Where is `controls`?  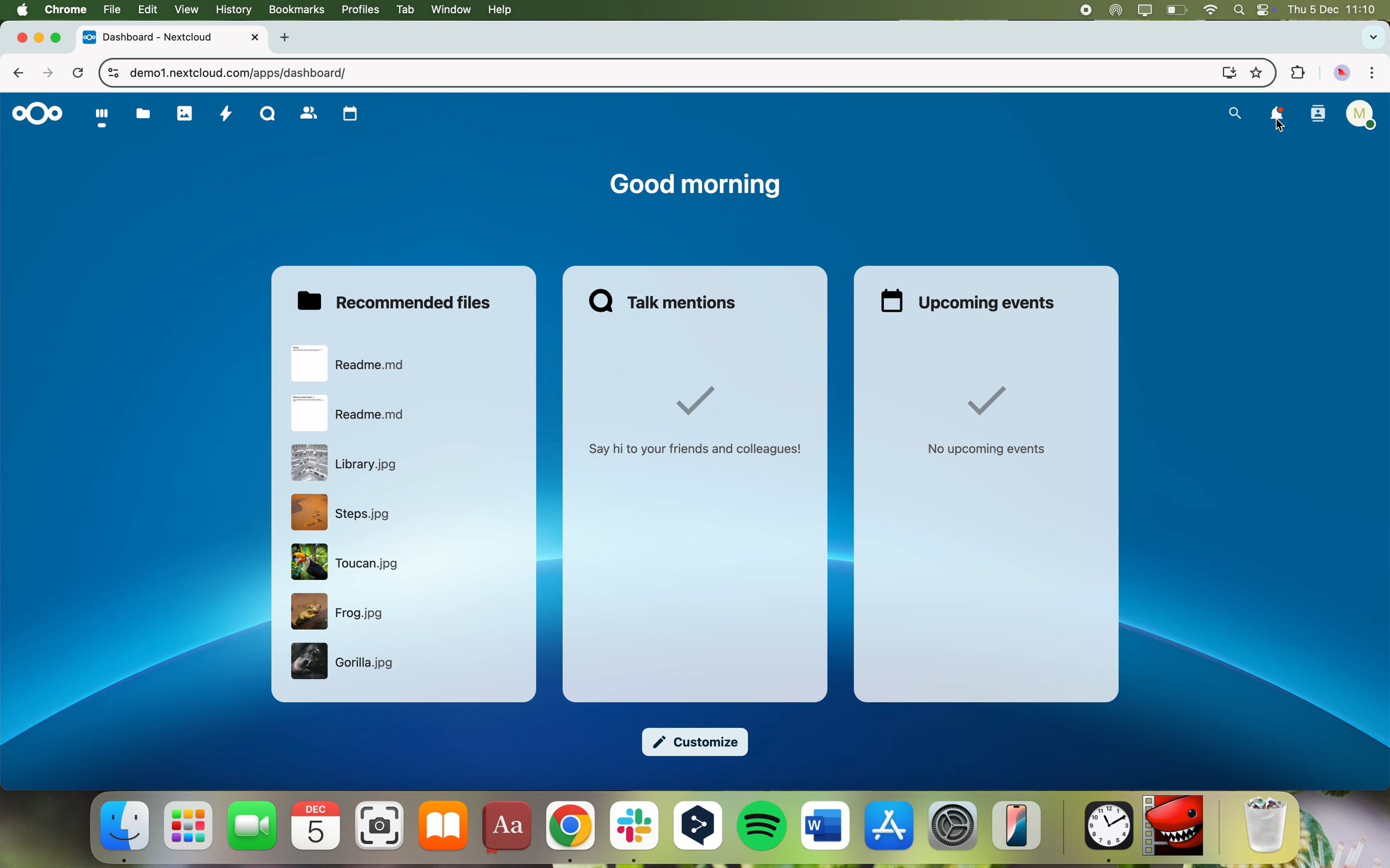
controls is located at coordinates (109, 74).